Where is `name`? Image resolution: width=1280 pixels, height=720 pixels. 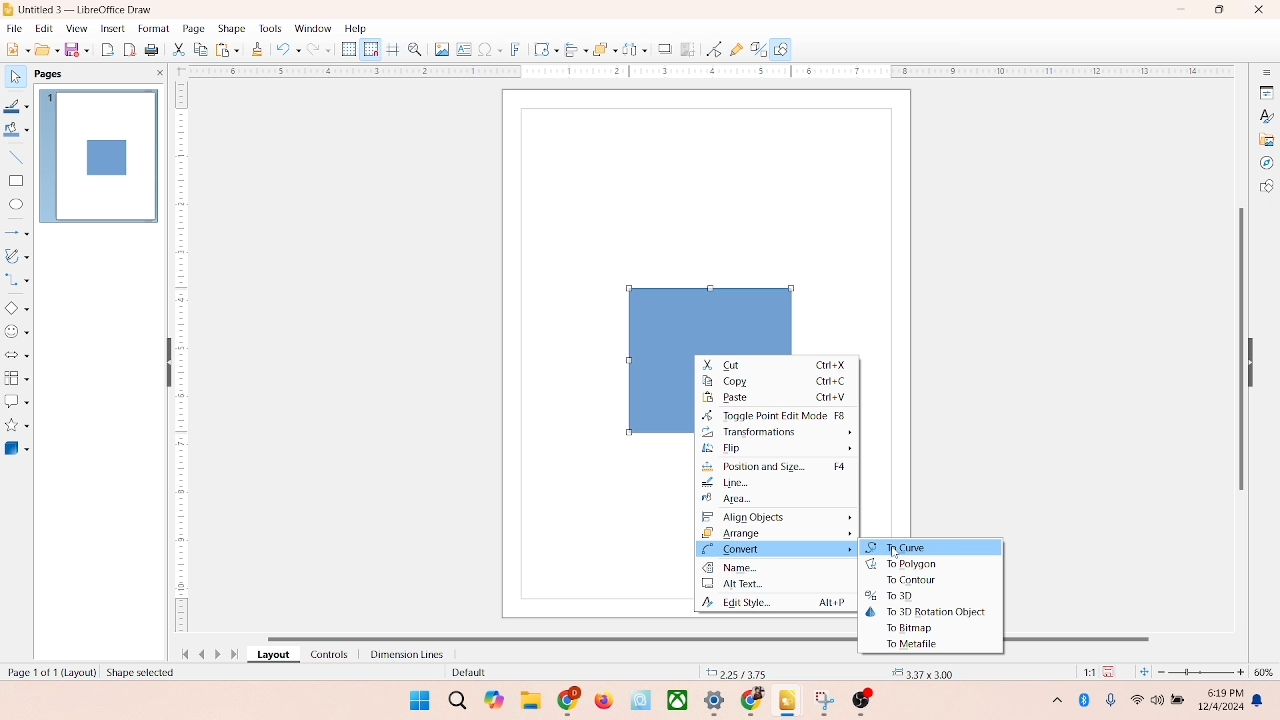
name is located at coordinates (778, 569).